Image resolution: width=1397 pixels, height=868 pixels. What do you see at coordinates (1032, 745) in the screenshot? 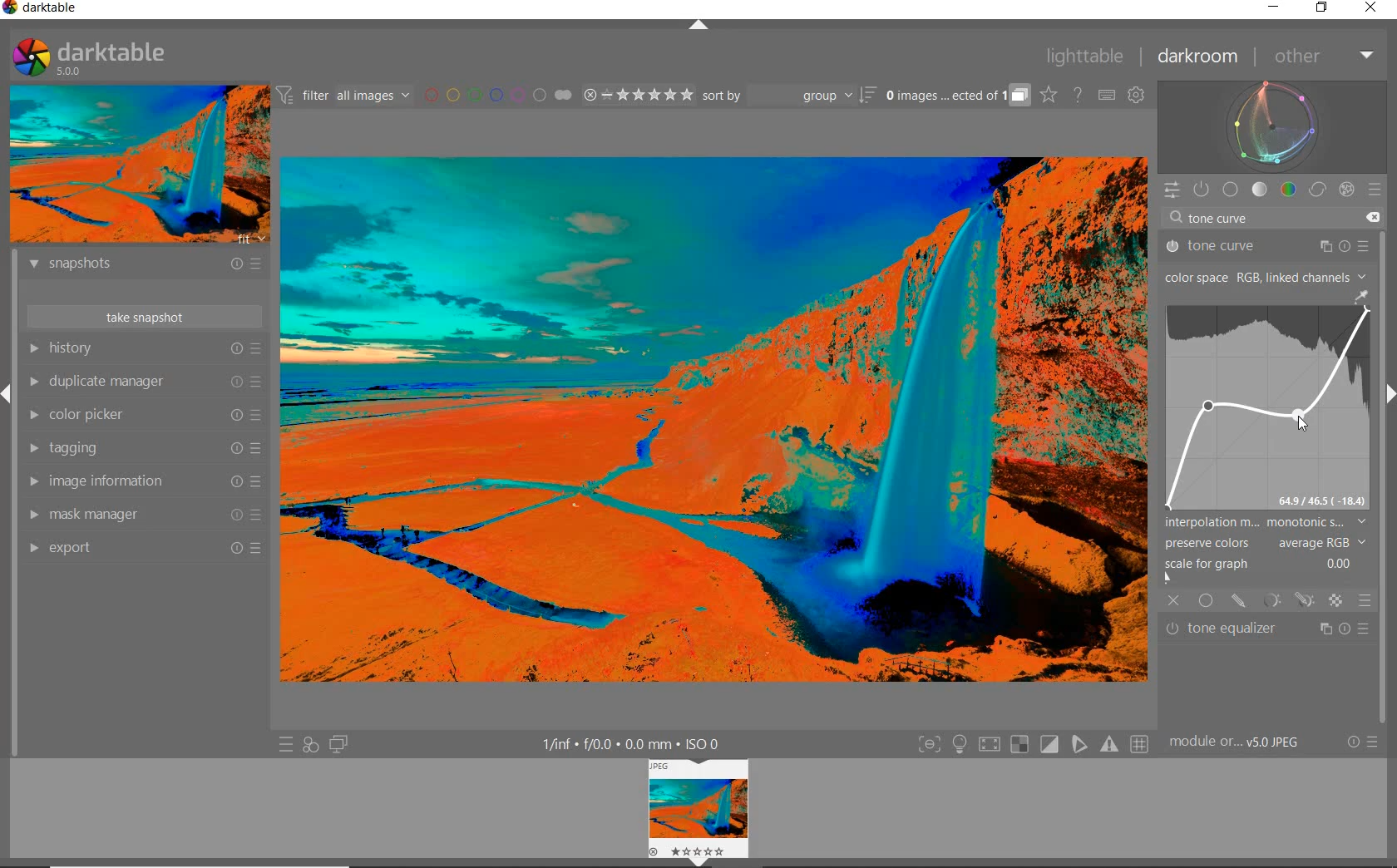
I see `TOGGLE MODES` at bounding box center [1032, 745].